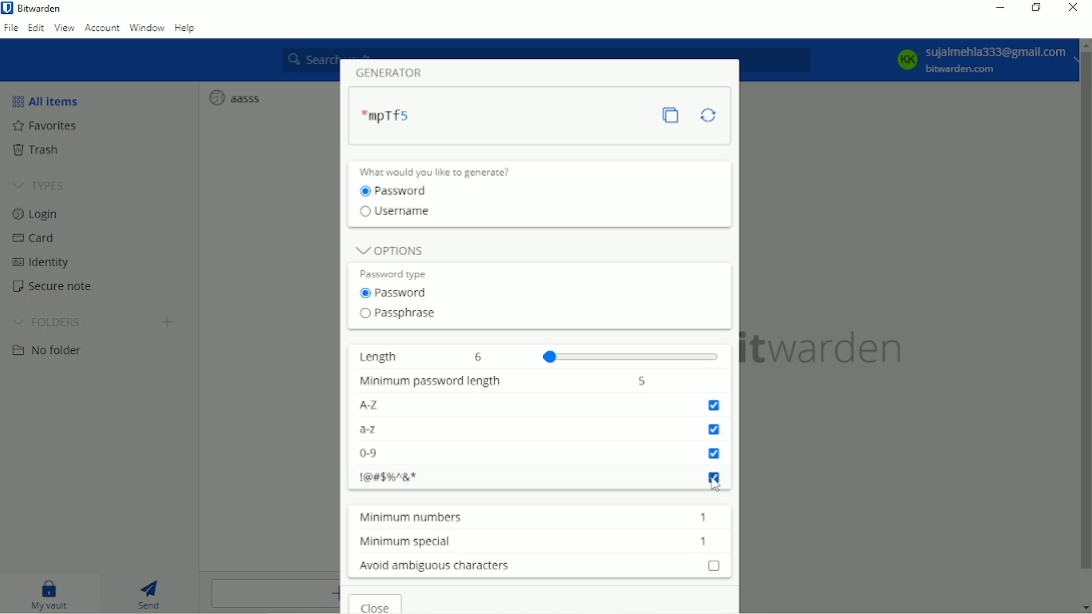 The height and width of the screenshot is (614, 1092). I want to click on avoid ambiguous character checkbox, so click(712, 566).